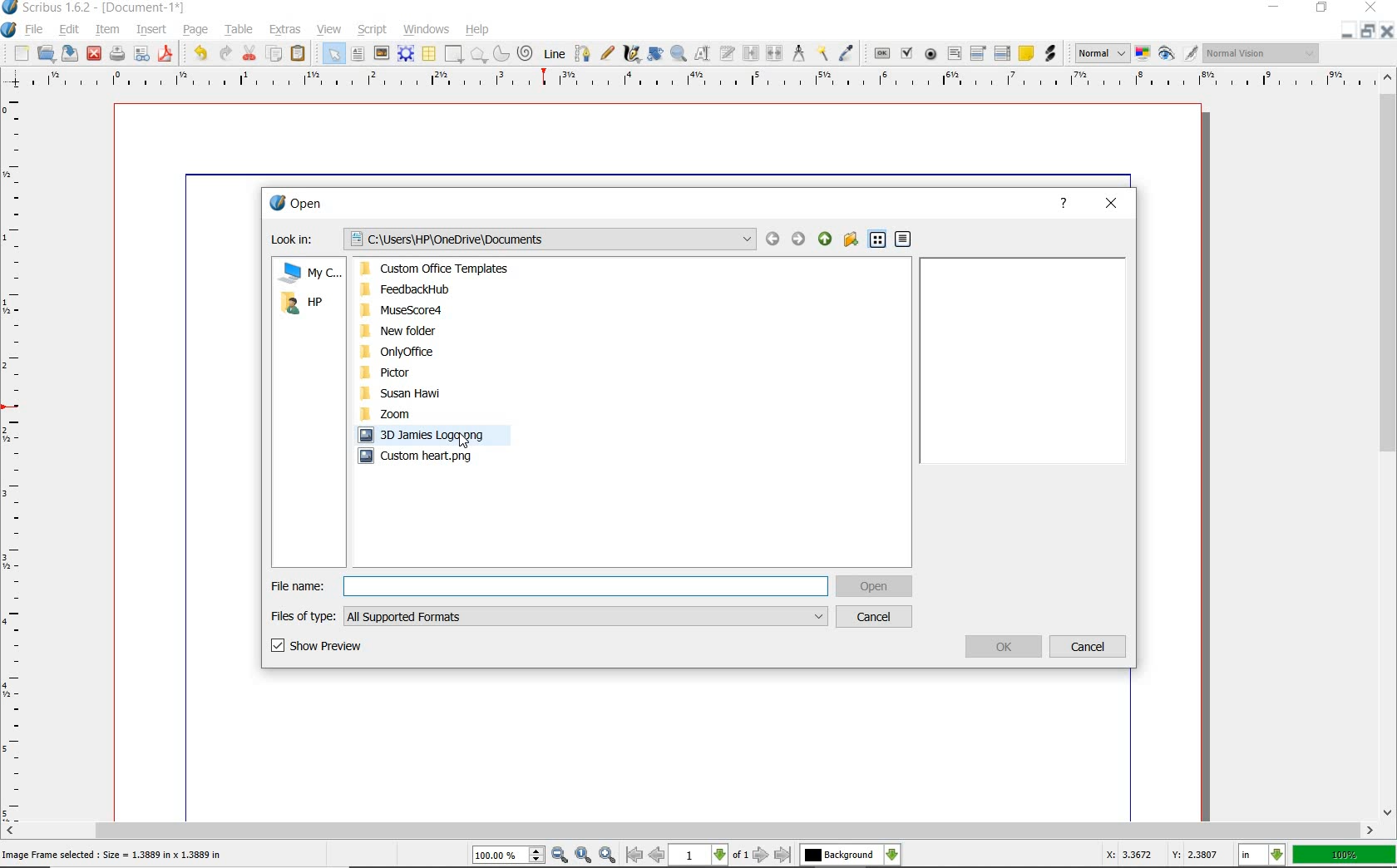 This screenshot has height=868, width=1397. Describe the element at coordinates (107, 30) in the screenshot. I see `item` at that location.